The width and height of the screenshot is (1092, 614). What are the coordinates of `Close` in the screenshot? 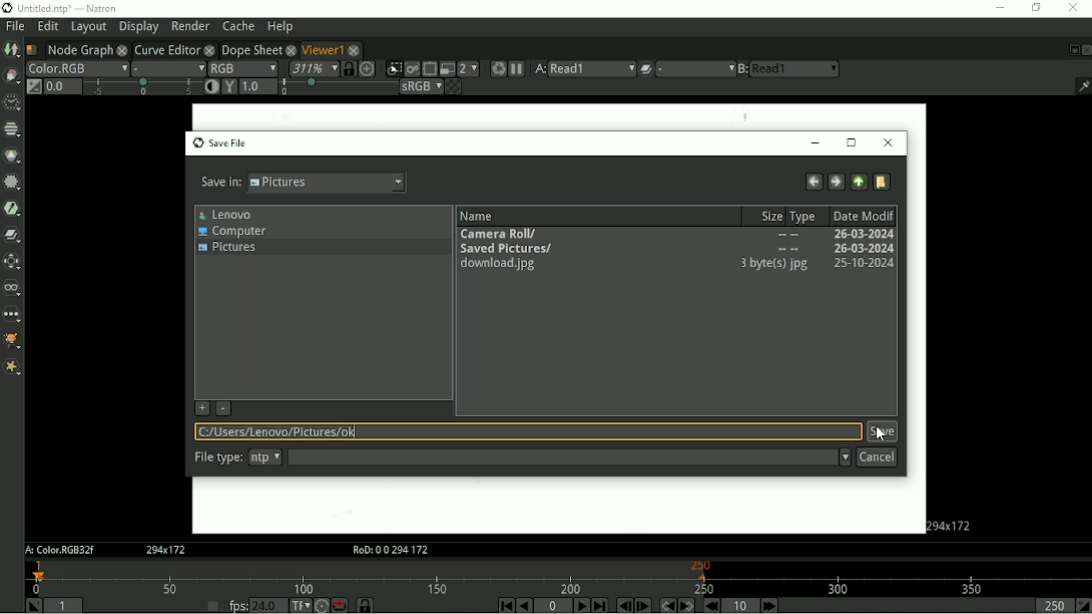 It's located at (1073, 8).